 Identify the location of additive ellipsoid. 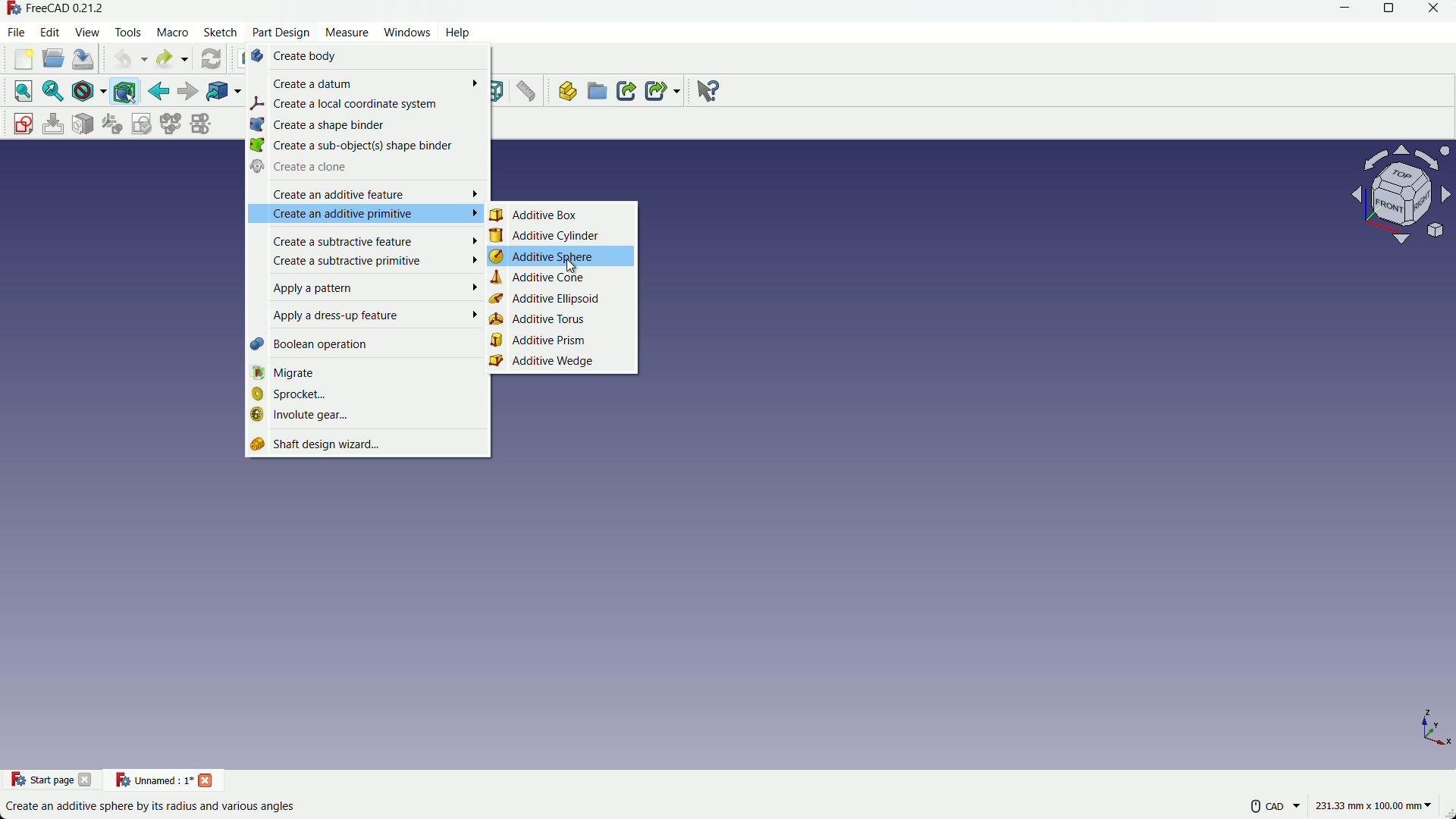
(560, 303).